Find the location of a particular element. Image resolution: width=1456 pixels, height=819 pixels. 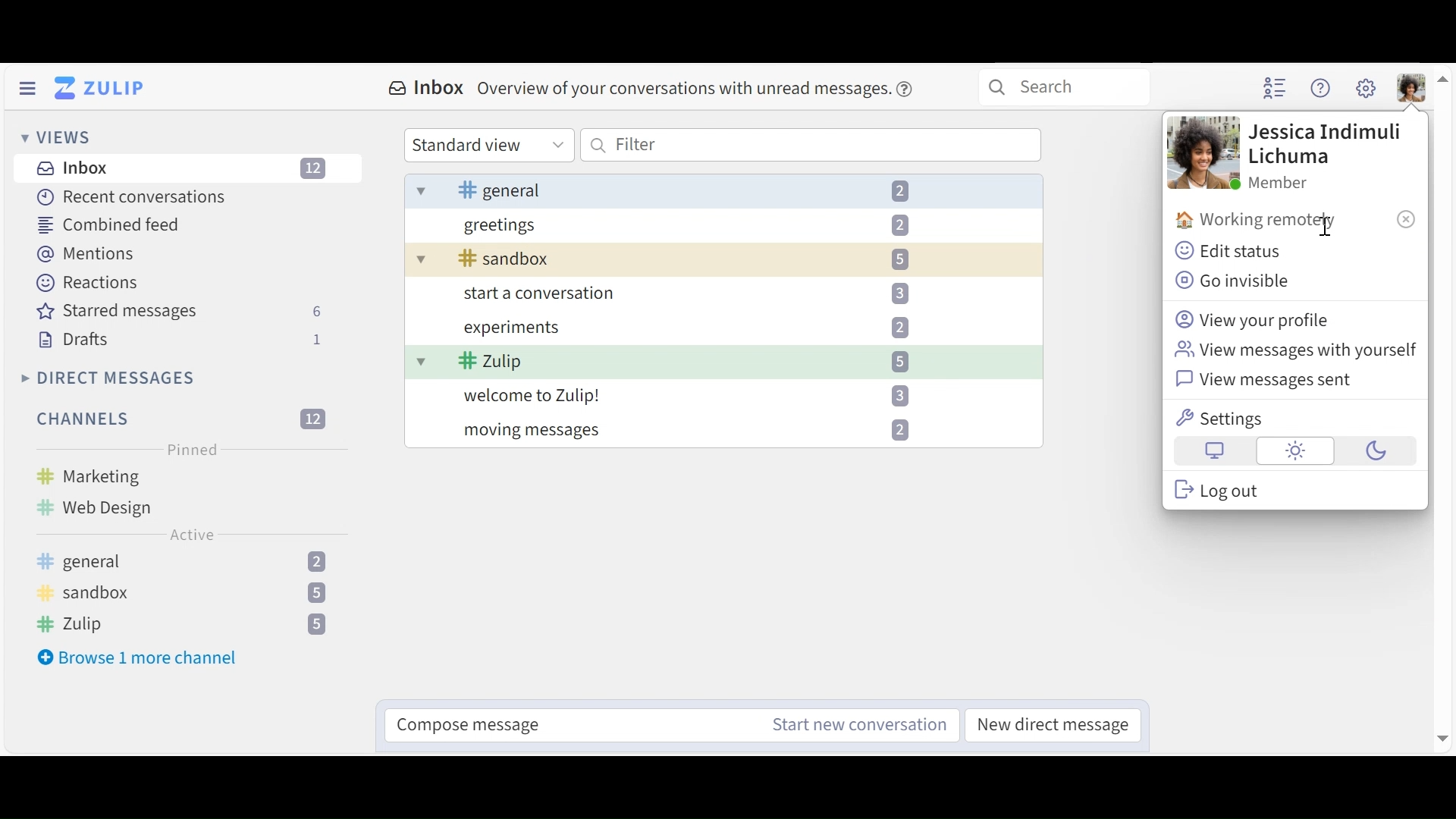

Light theme is located at coordinates (1295, 451).